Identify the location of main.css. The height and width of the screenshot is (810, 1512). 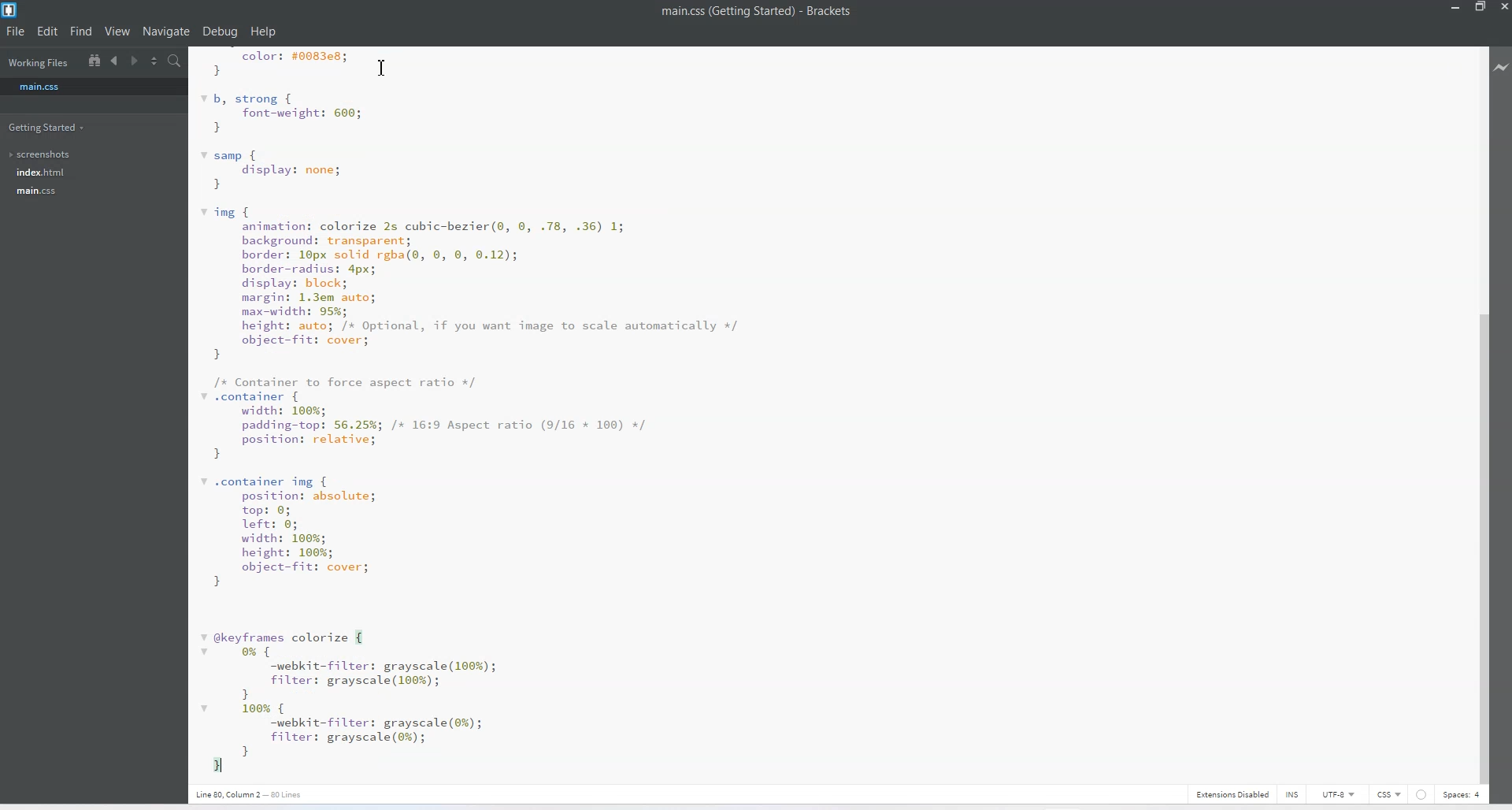
(39, 191).